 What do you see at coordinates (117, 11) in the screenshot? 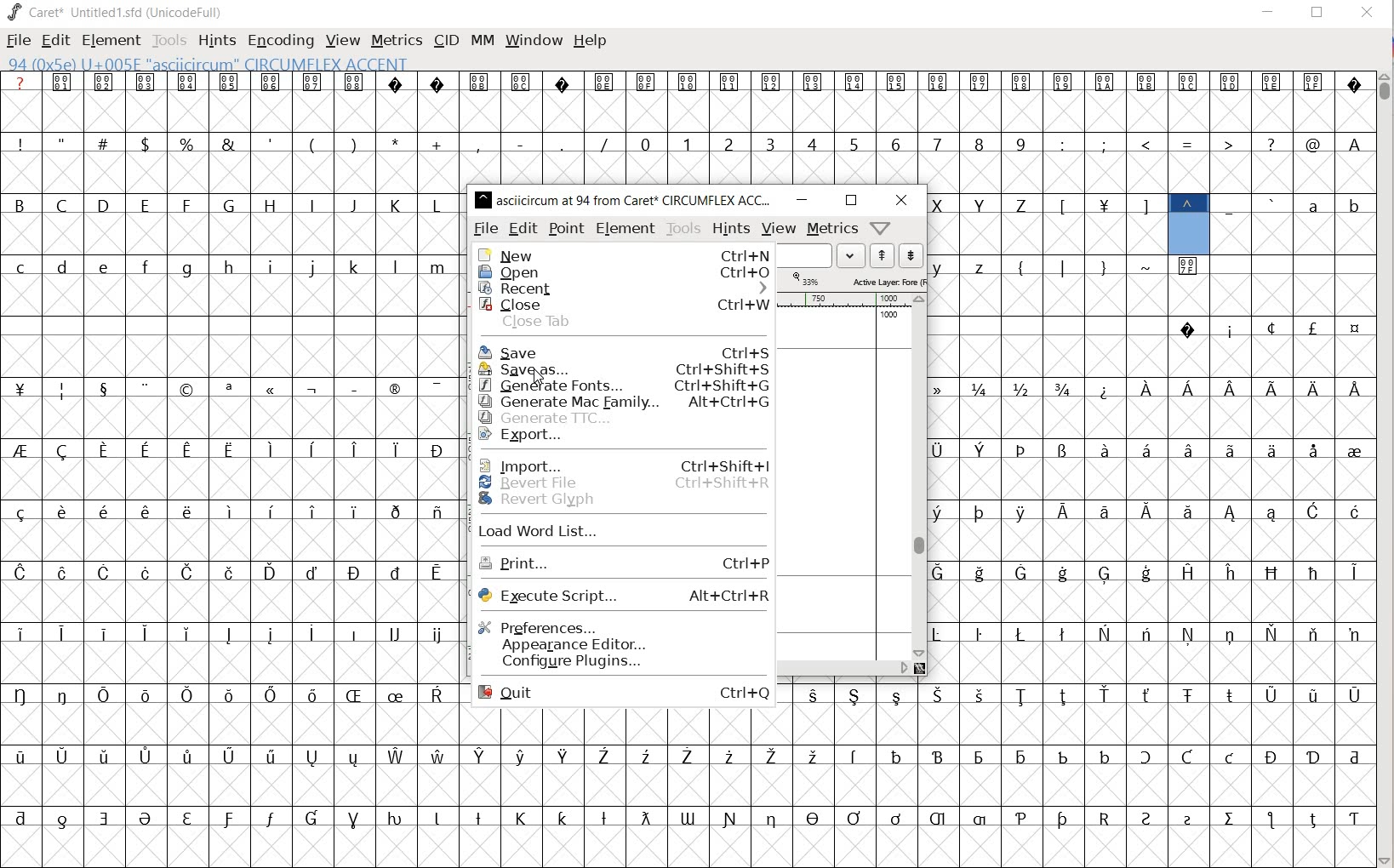
I see `caret* untitled1.sfd (unicodefull)` at bounding box center [117, 11].